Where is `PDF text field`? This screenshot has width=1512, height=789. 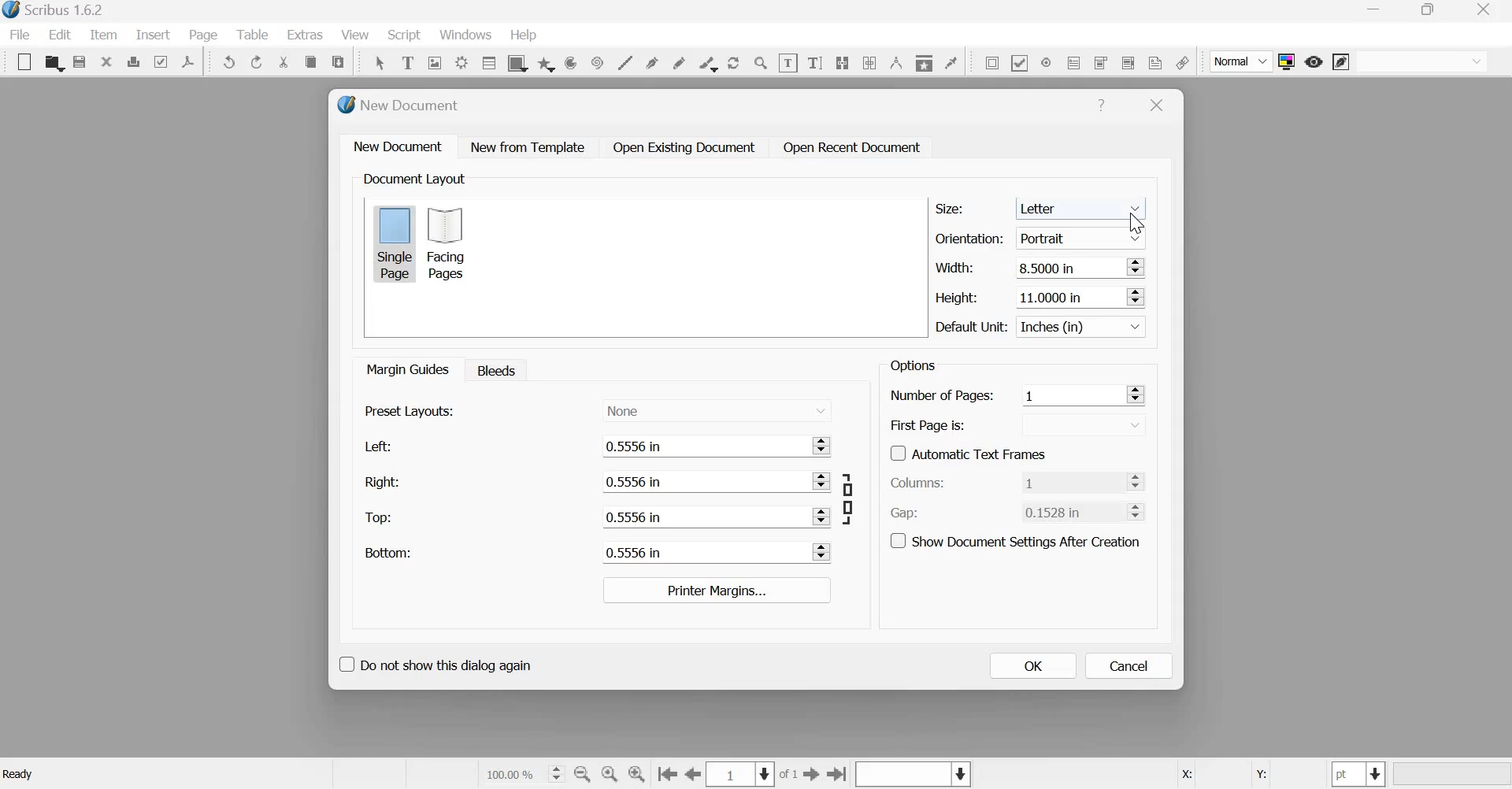 PDF text field is located at coordinates (1074, 61).